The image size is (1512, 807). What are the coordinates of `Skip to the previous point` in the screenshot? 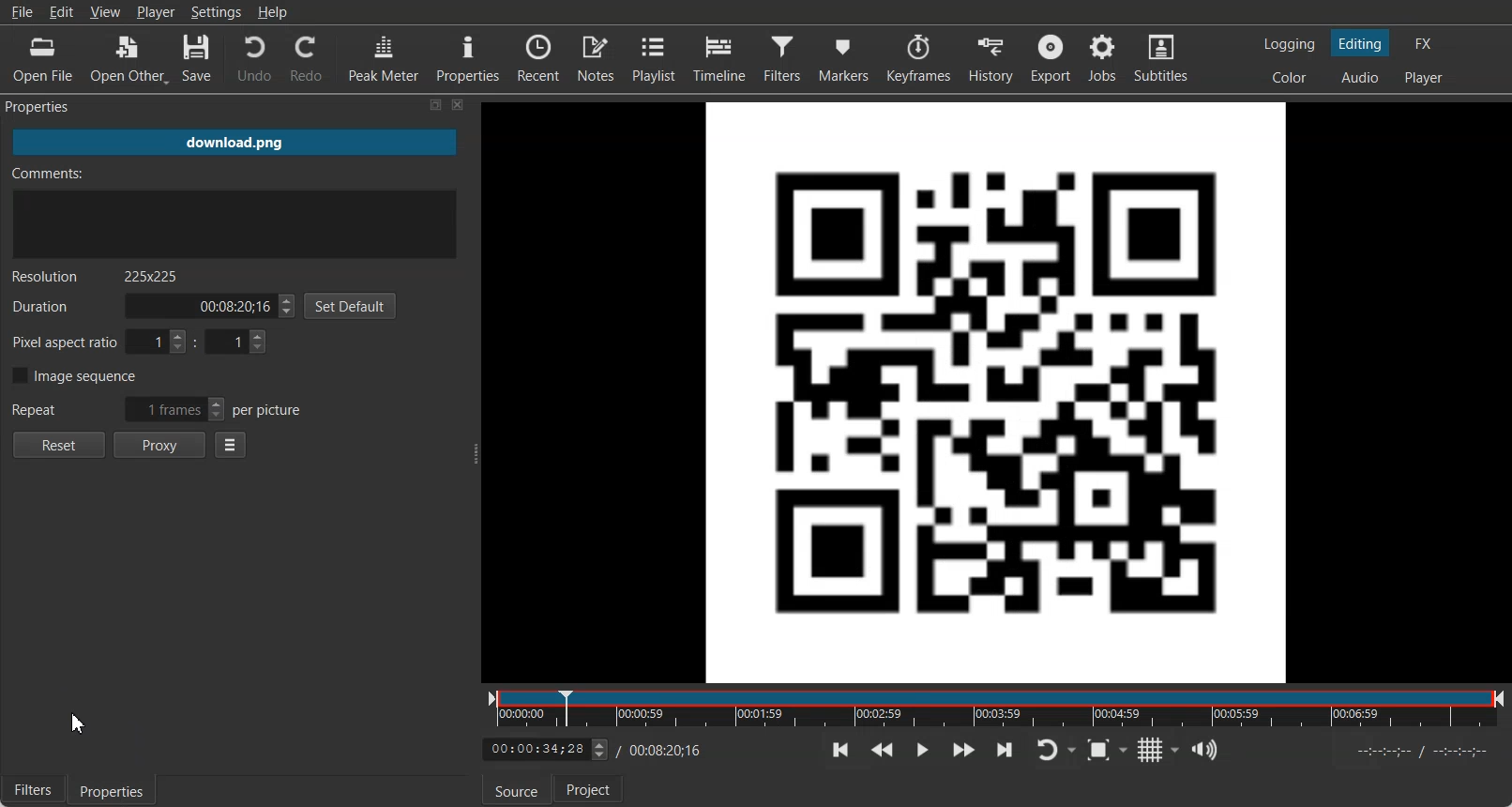 It's located at (840, 750).